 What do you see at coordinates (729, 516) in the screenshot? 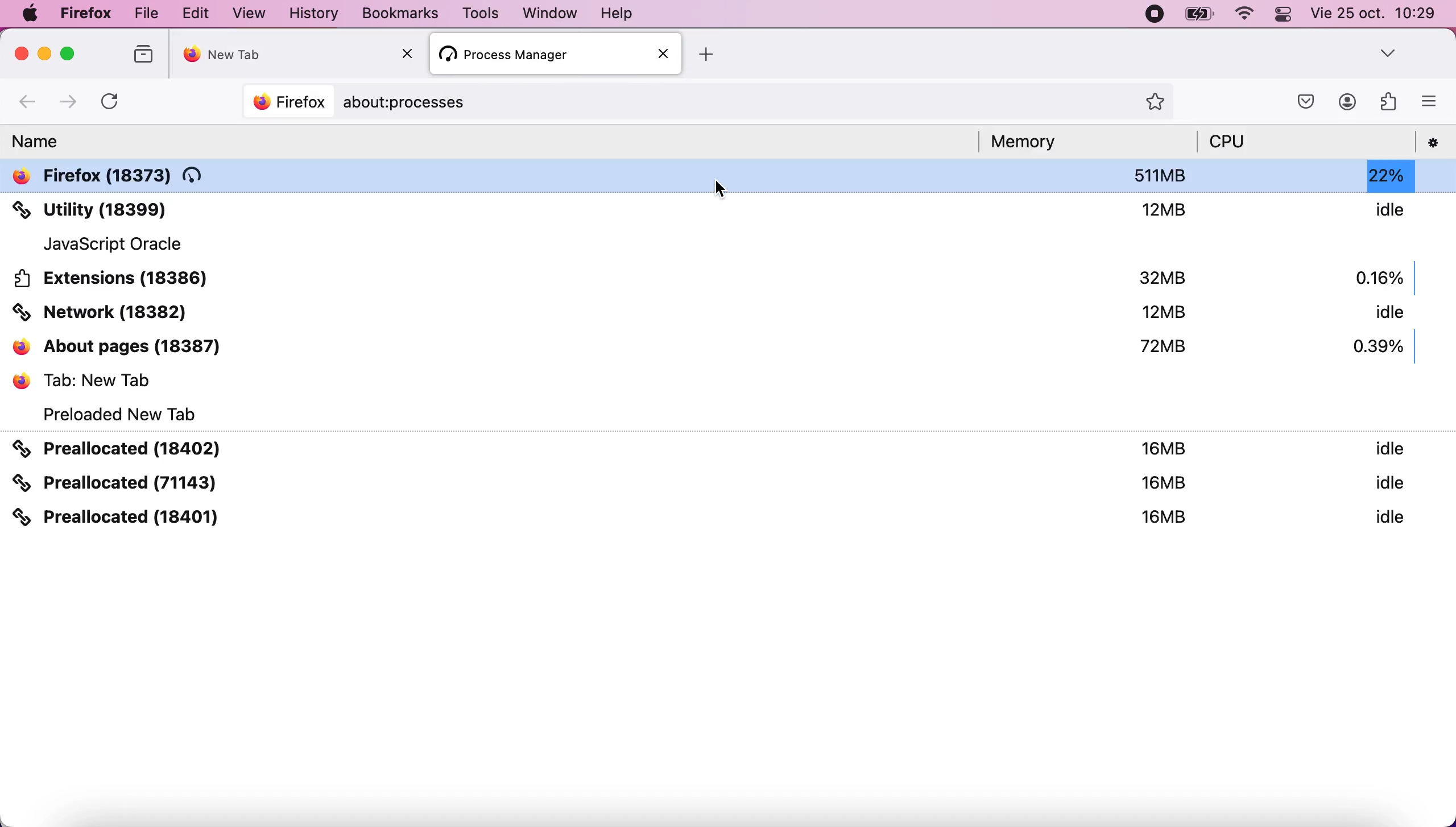
I see `Prellocated` at bounding box center [729, 516].